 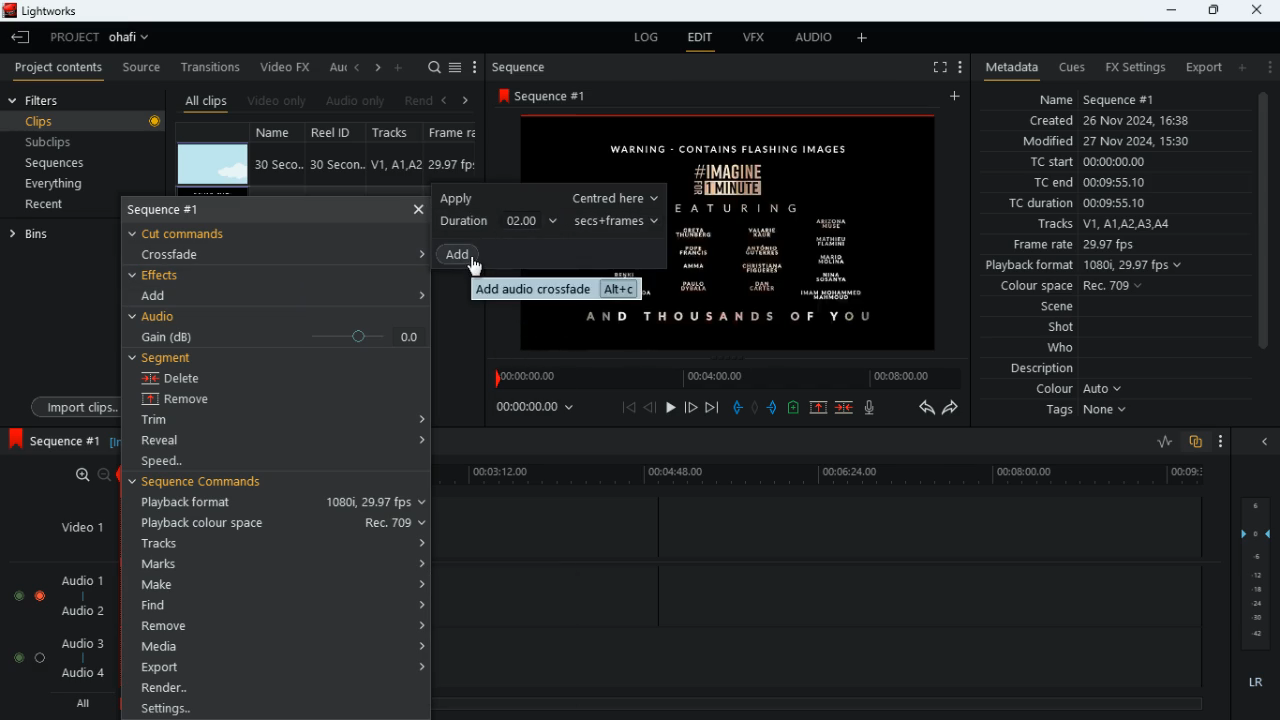 What do you see at coordinates (1043, 369) in the screenshot?
I see `description` at bounding box center [1043, 369].